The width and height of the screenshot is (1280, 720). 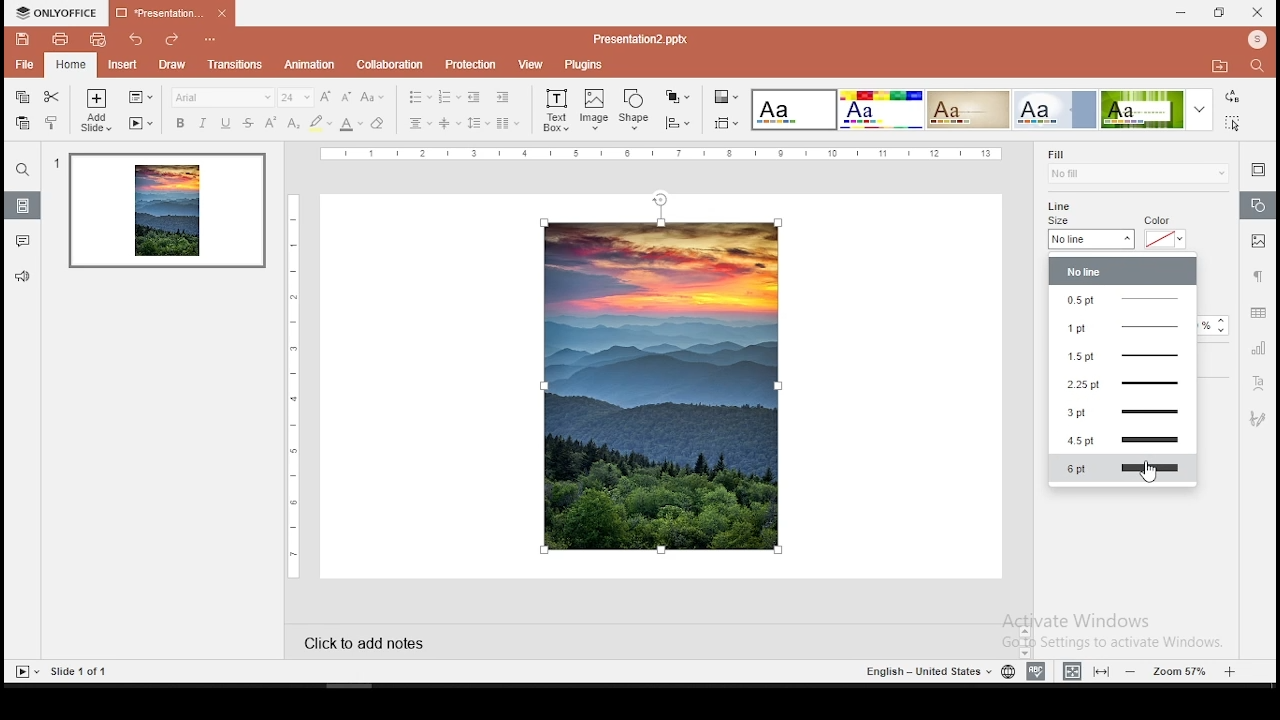 I want to click on zoom out, so click(x=1132, y=670).